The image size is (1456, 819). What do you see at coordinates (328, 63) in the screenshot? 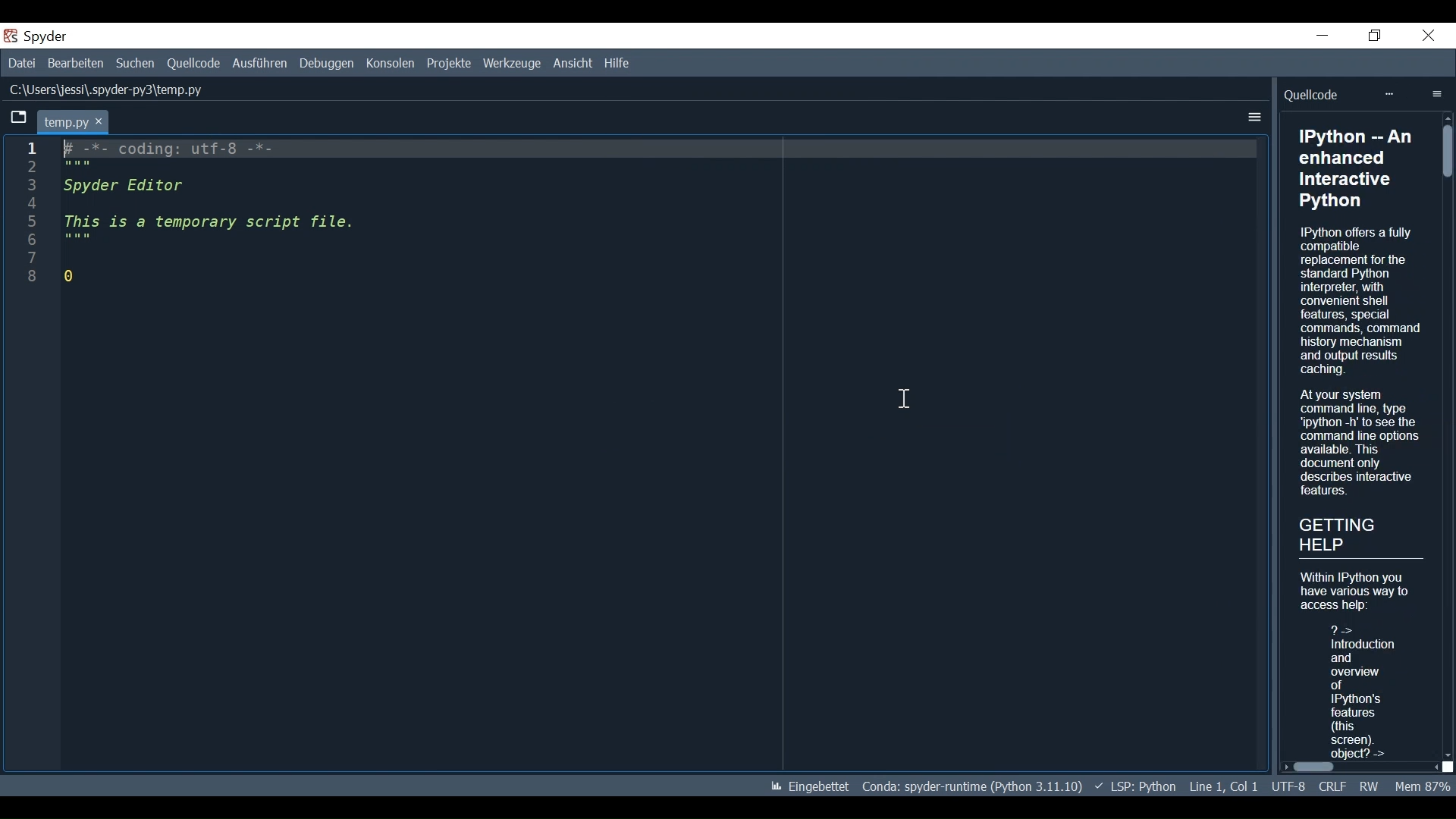
I see `Debugger` at bounding box center [328, 63].